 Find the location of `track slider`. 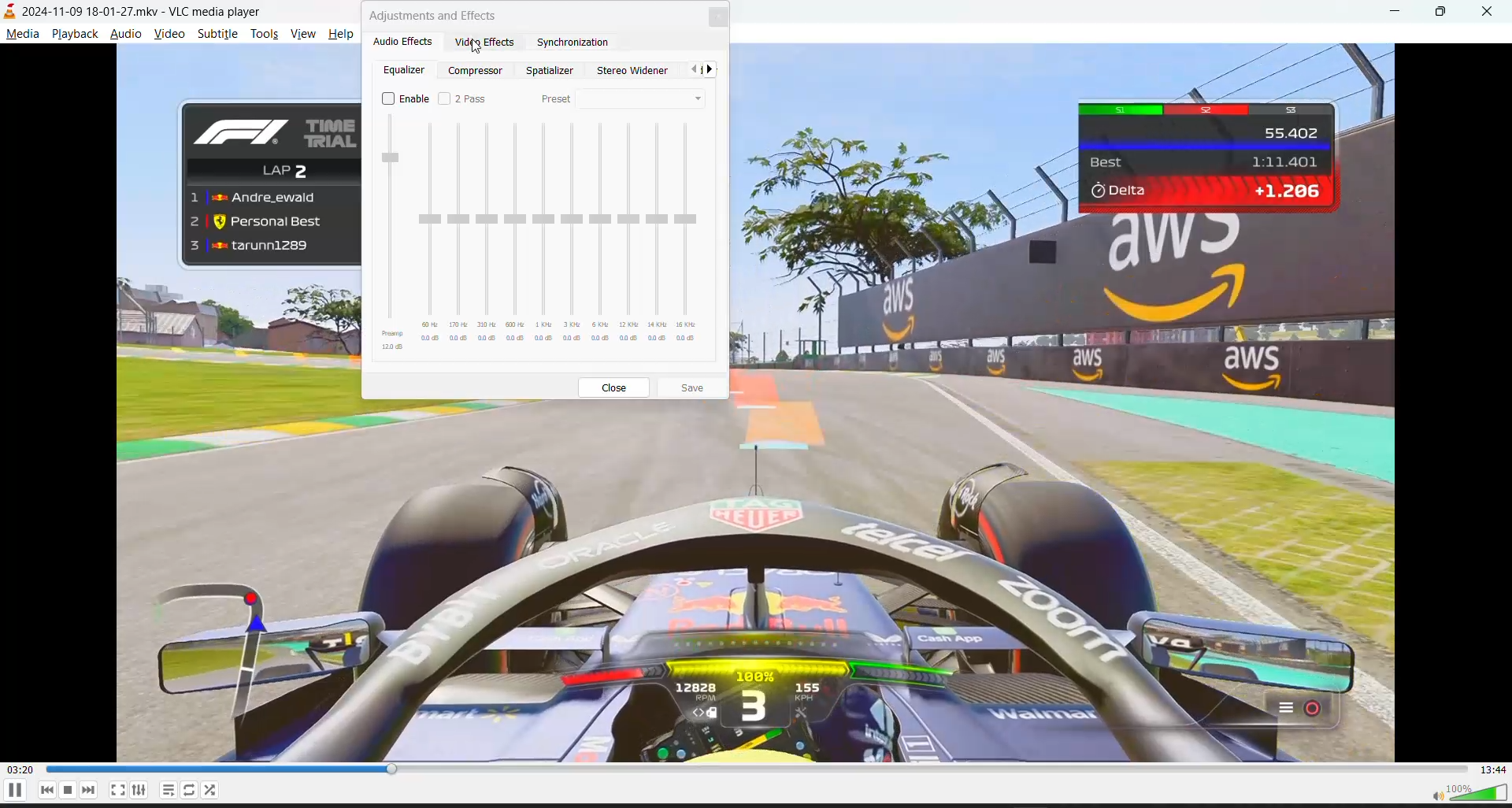

track slider is located at coordinates (758, 769).